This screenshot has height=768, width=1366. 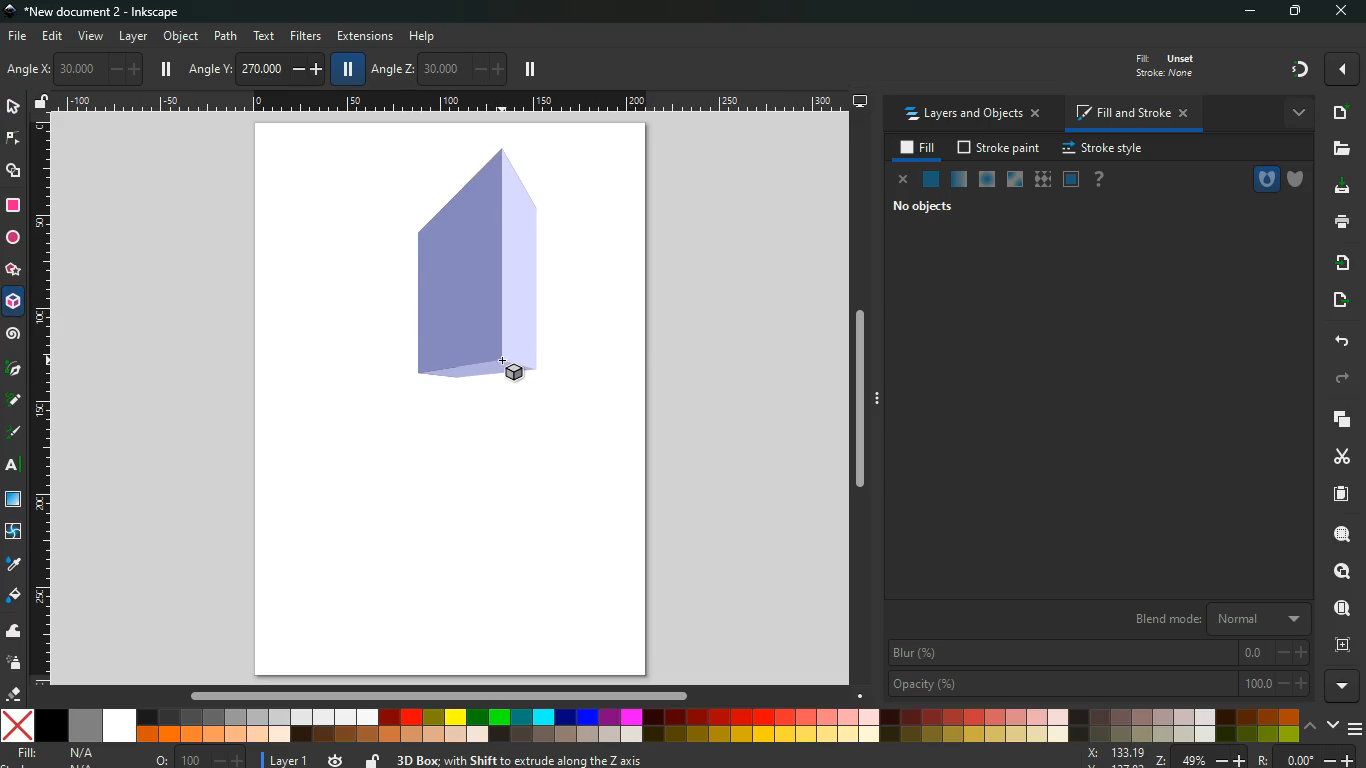 I want to click on print, so click(x=1341, y=221).